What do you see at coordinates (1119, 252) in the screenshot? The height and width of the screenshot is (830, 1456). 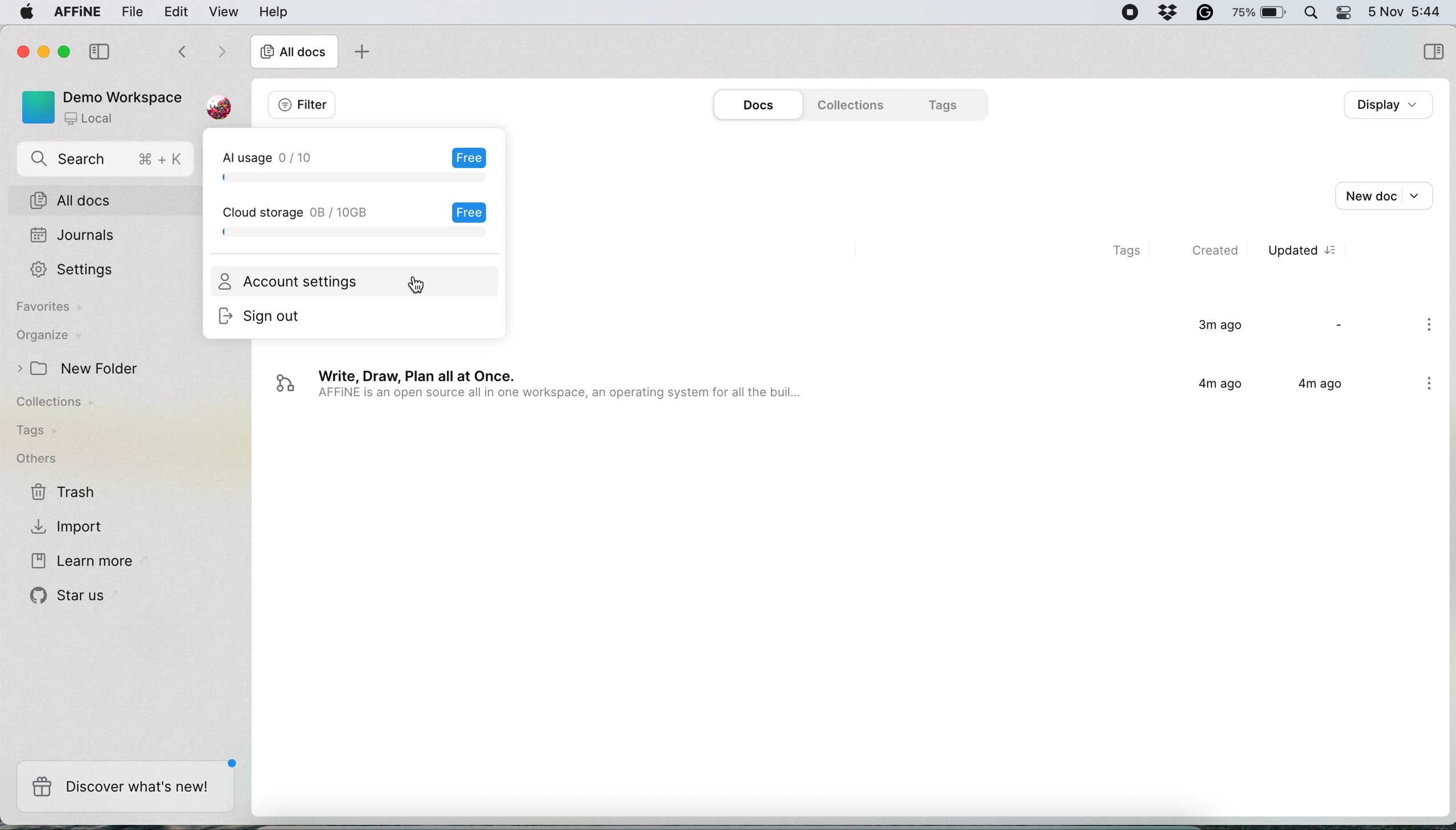 I see `tags` at bounding box center [1119, 252].